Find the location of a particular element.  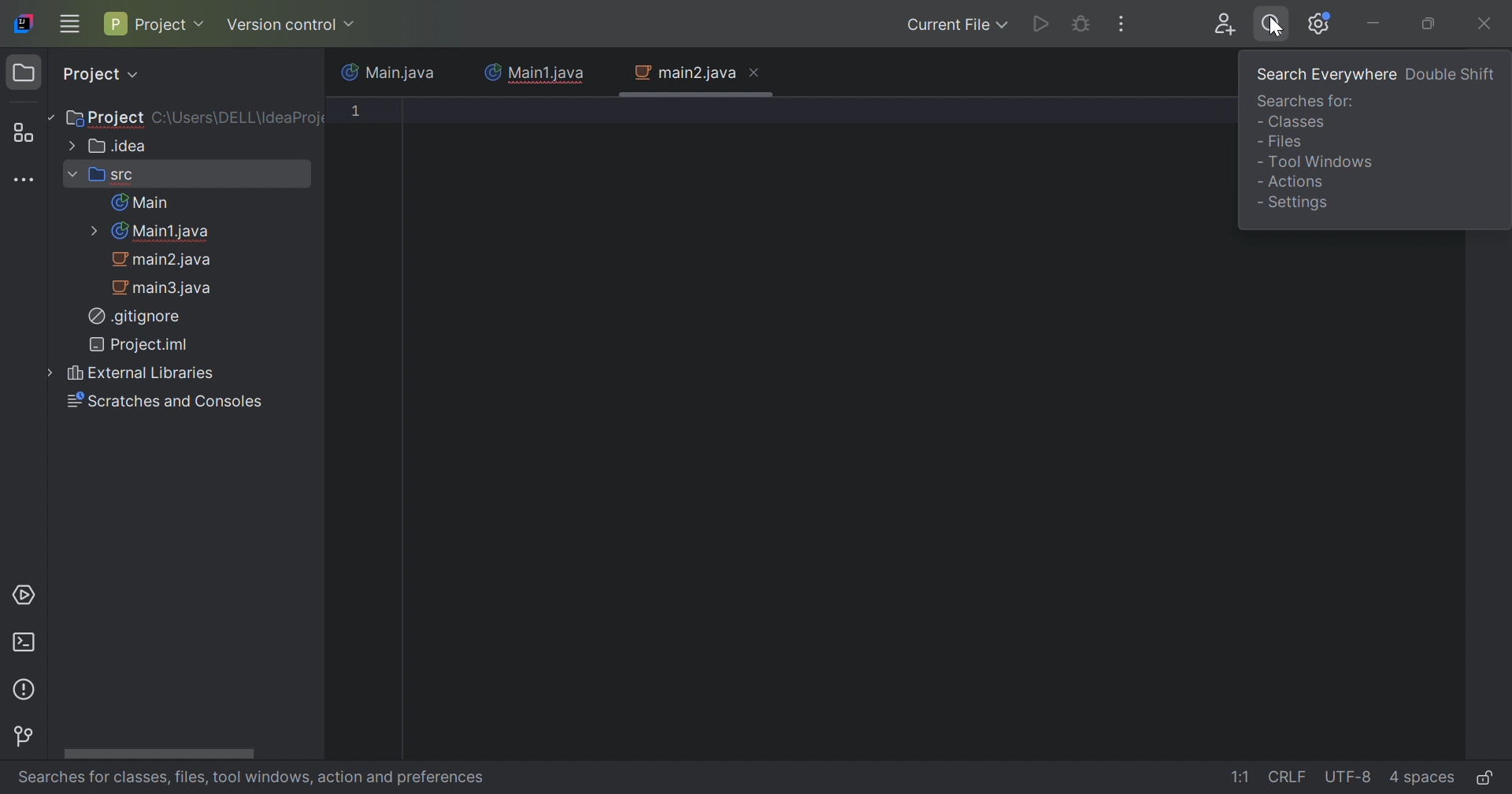

Main.java is located at coordinates (393, 72).